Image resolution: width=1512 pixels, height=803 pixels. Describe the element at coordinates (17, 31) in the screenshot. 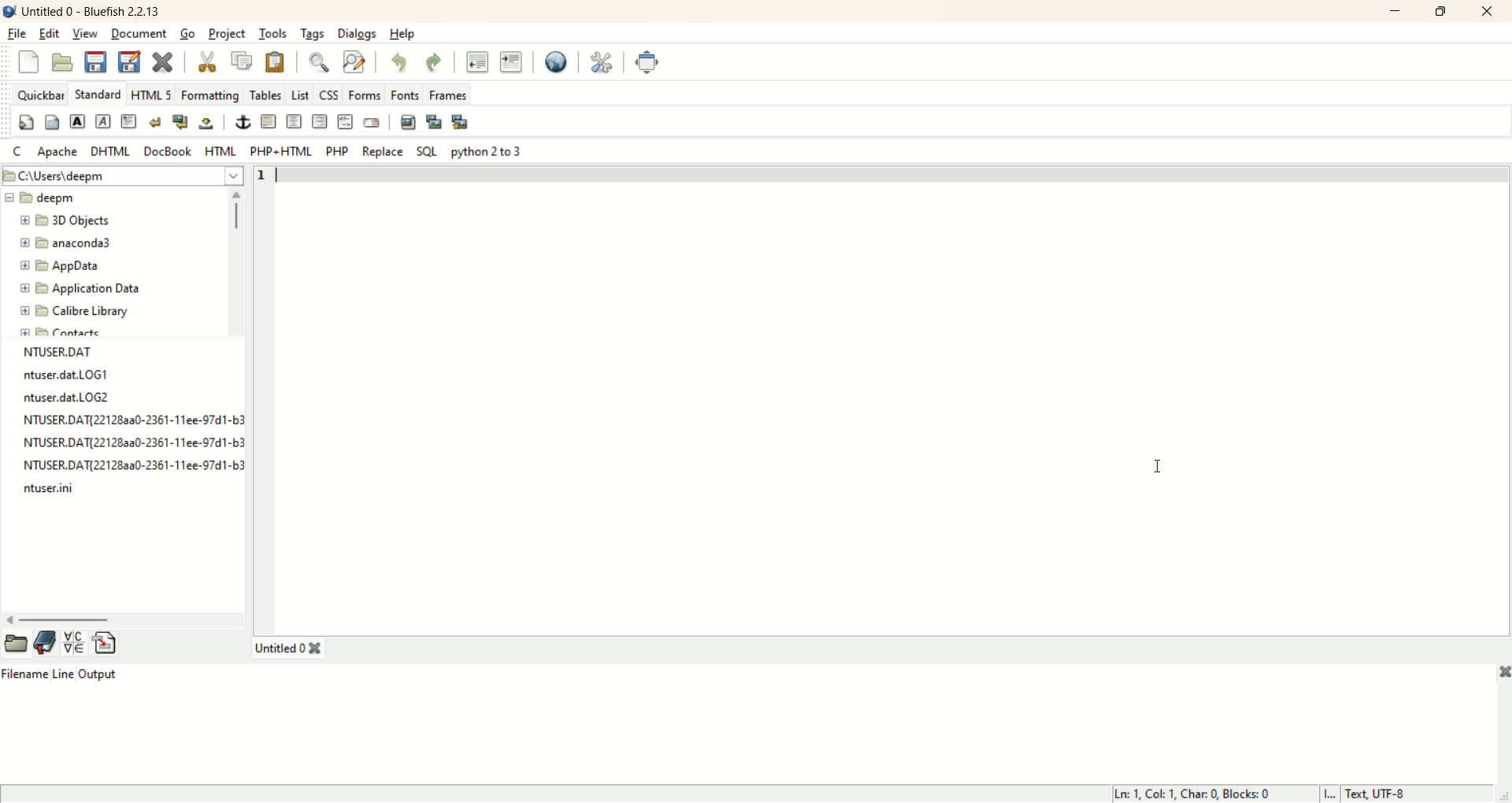

I see `file` at that location.